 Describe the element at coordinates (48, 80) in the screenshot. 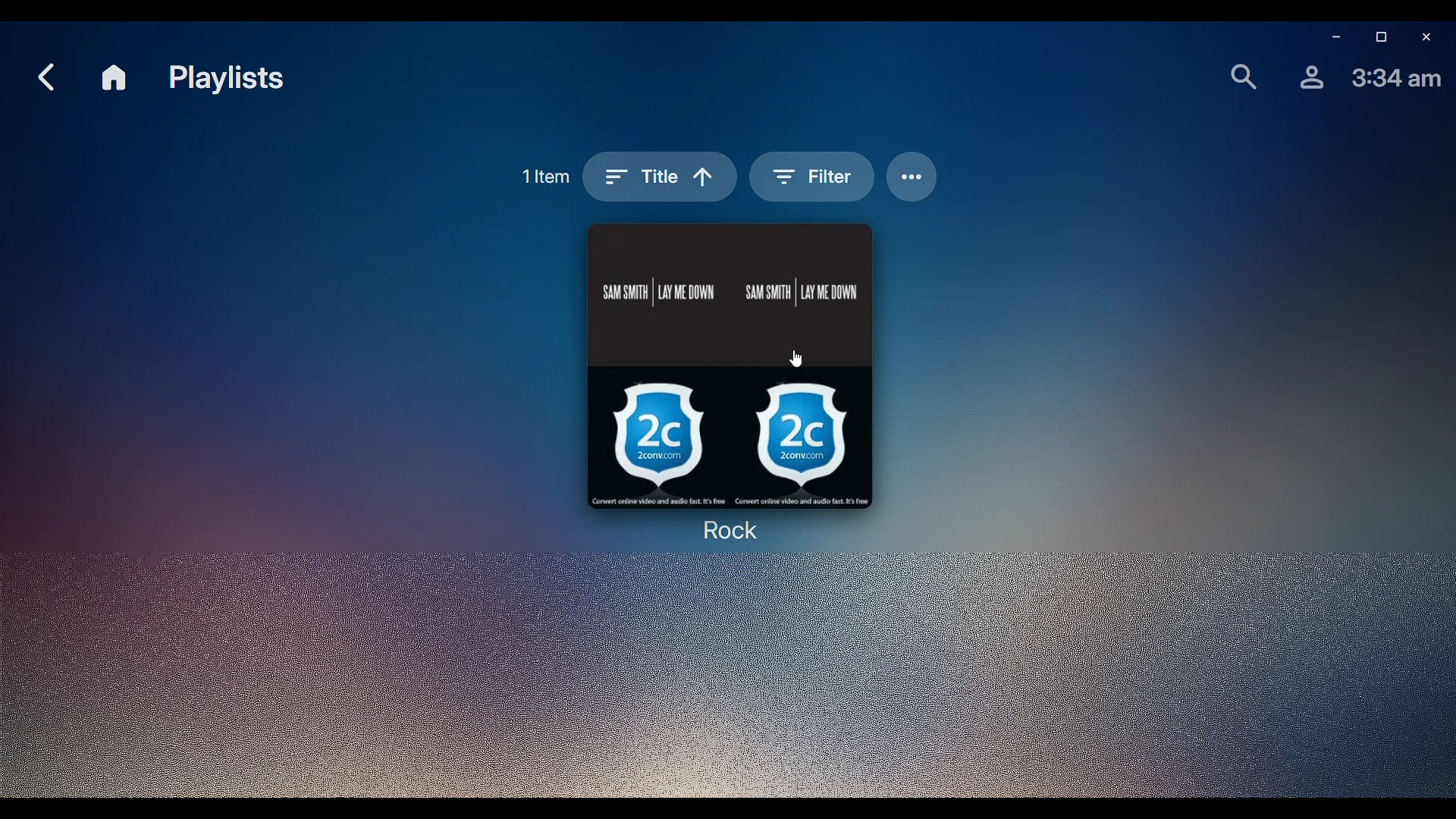

I see `Back` at that location.